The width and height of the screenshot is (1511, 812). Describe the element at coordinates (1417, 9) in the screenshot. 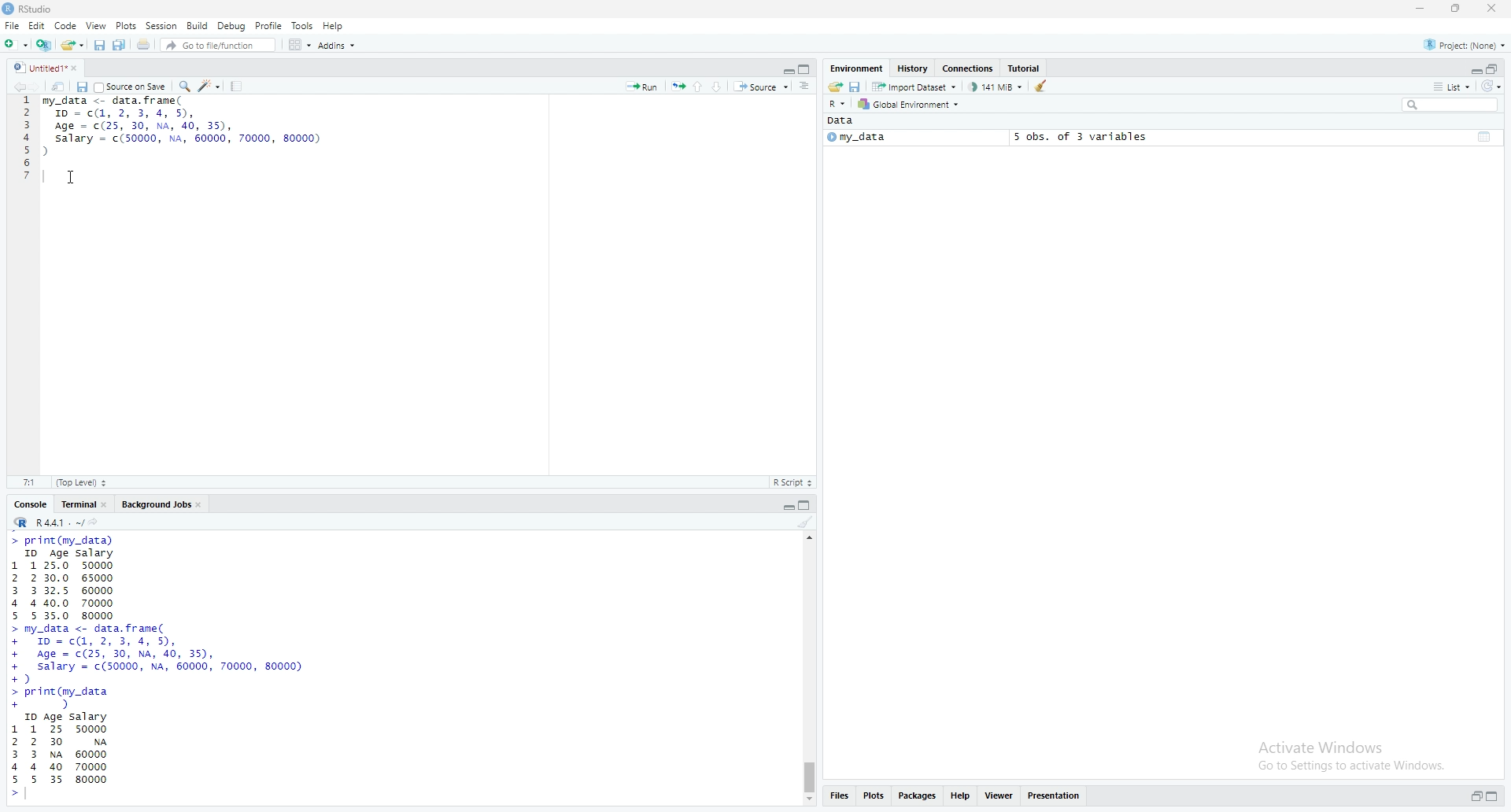

I see `minimize` at that location.